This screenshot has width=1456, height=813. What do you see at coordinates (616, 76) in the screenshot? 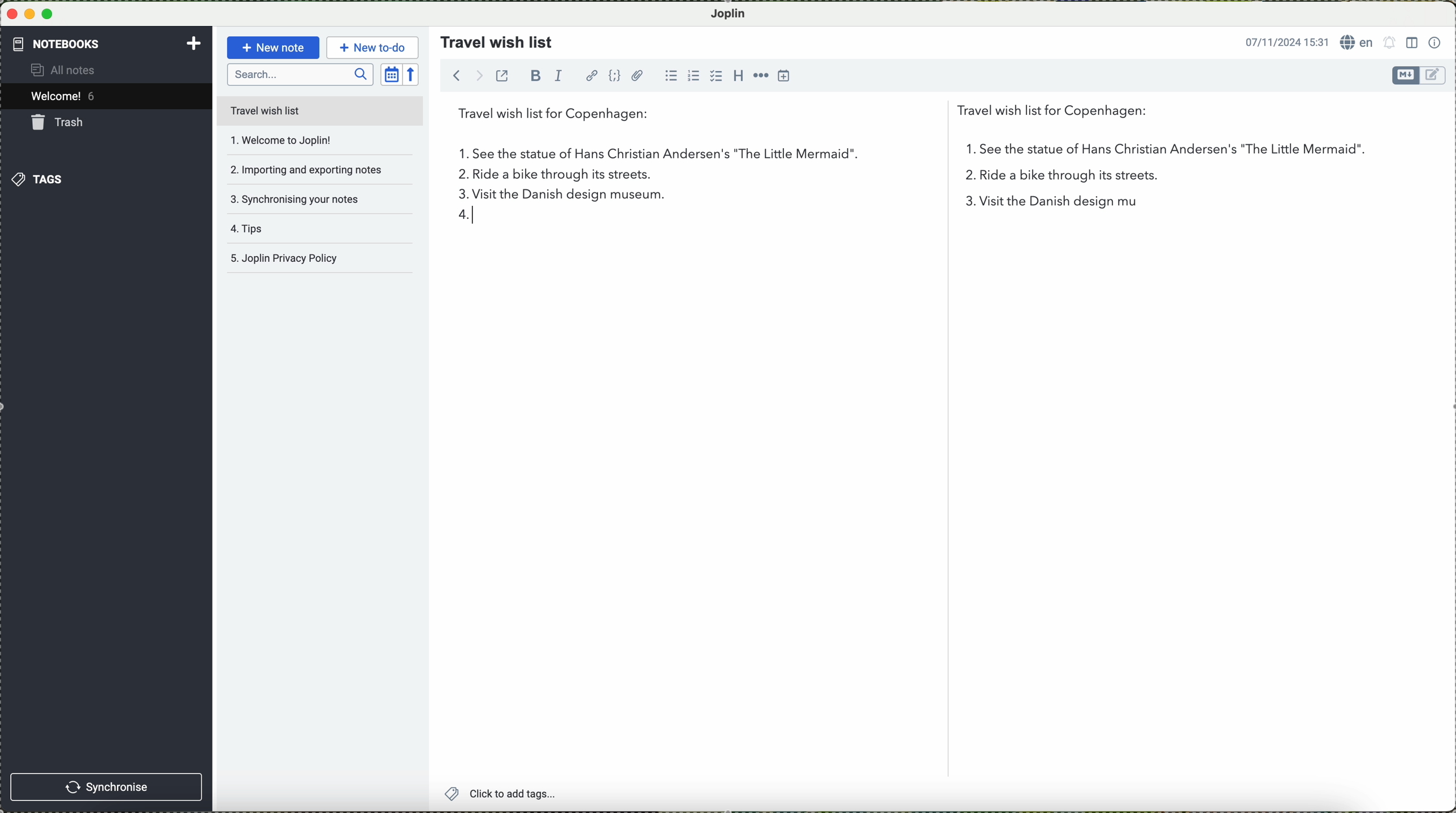
I see `code` at bounding box center [616, 76].